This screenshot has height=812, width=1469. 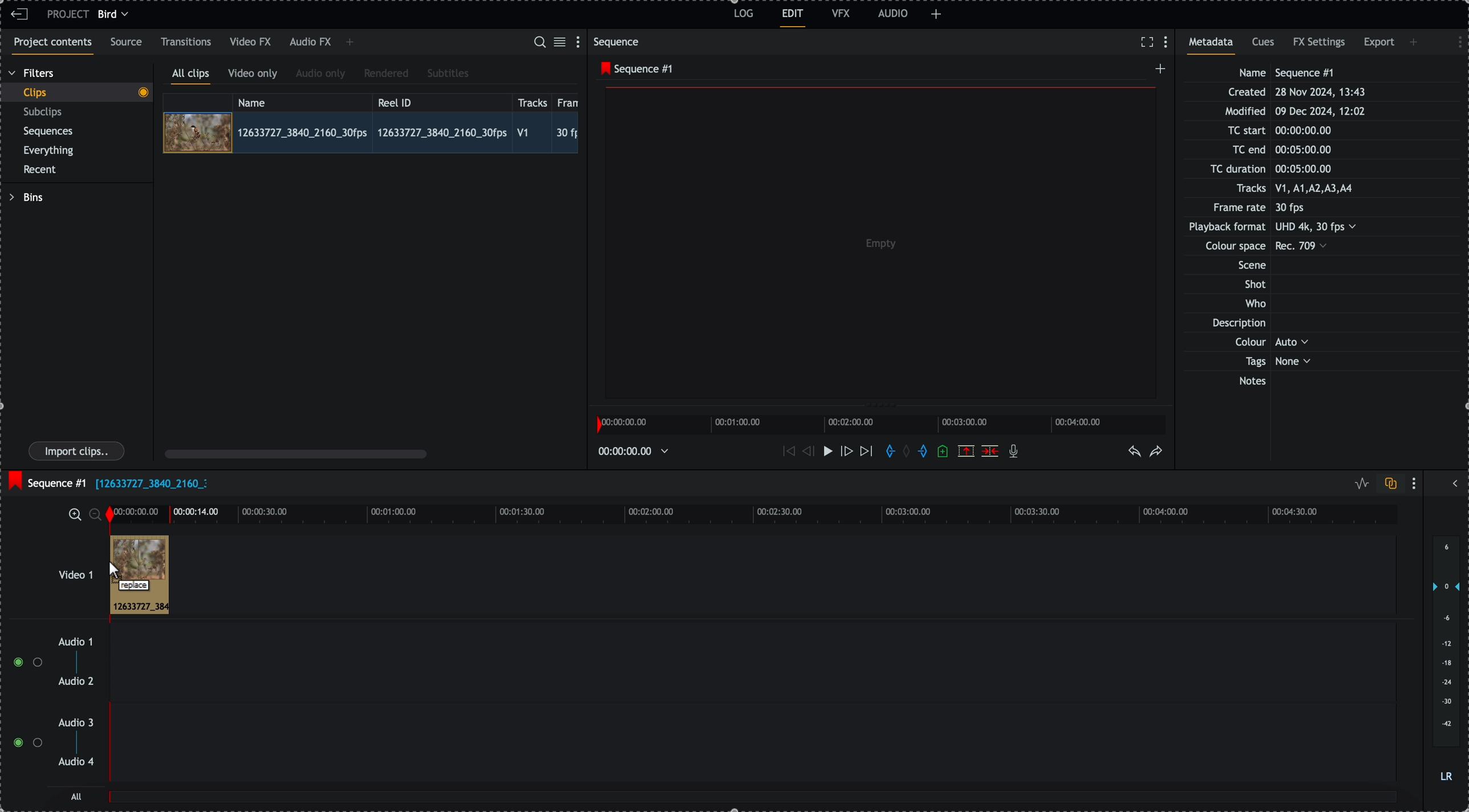 What do you see at coordinates (841, 13) in the screenshot?
I see `VFX` at bounding box center [841, 13].